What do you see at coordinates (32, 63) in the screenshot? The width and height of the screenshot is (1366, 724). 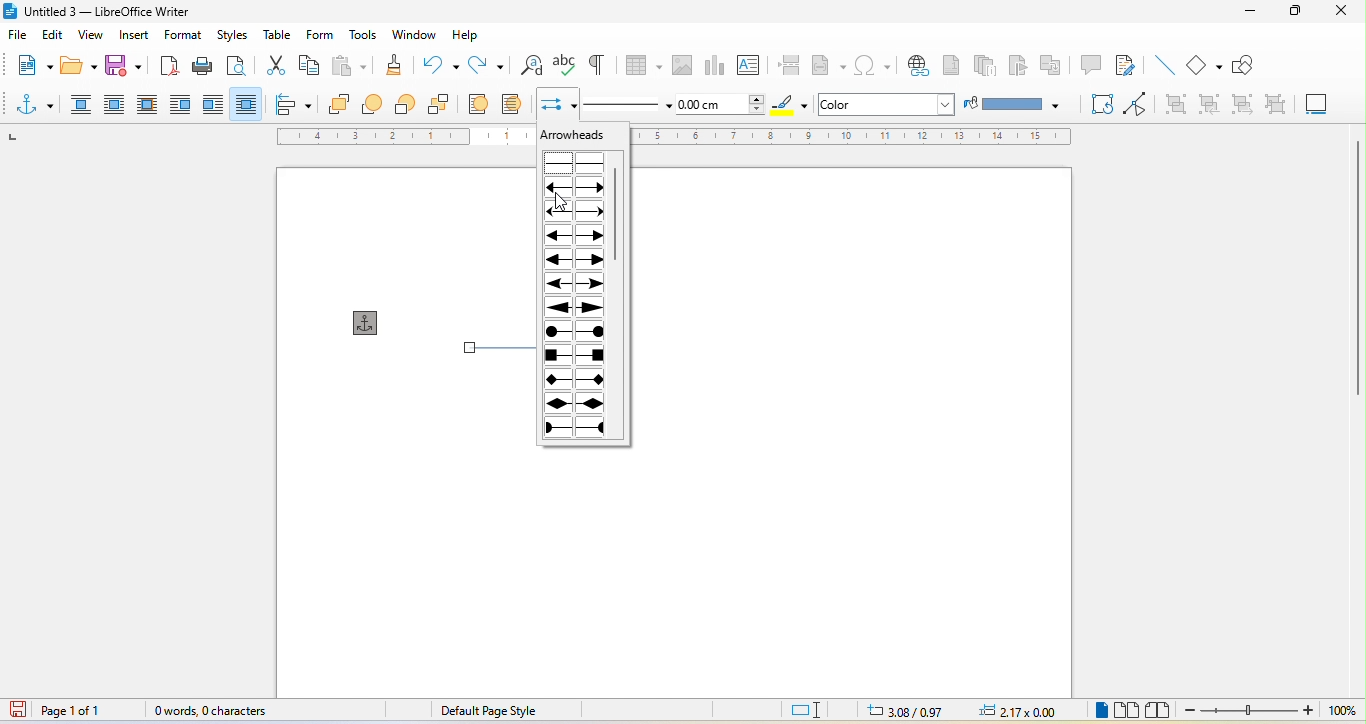 I see `new` at bounding box center [32, 63].